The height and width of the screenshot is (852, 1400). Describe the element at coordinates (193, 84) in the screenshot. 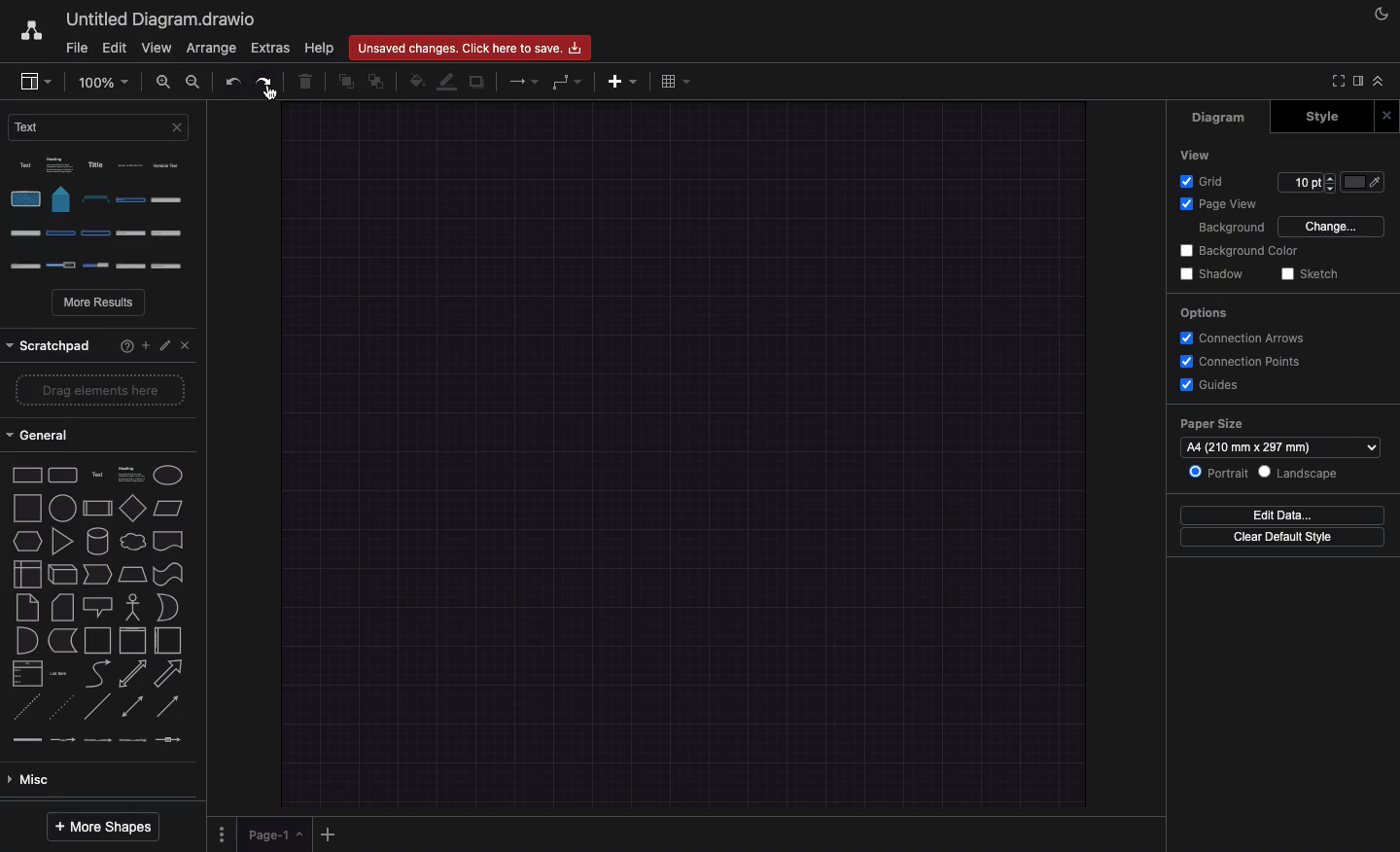

I see `Zoom out` at that location.